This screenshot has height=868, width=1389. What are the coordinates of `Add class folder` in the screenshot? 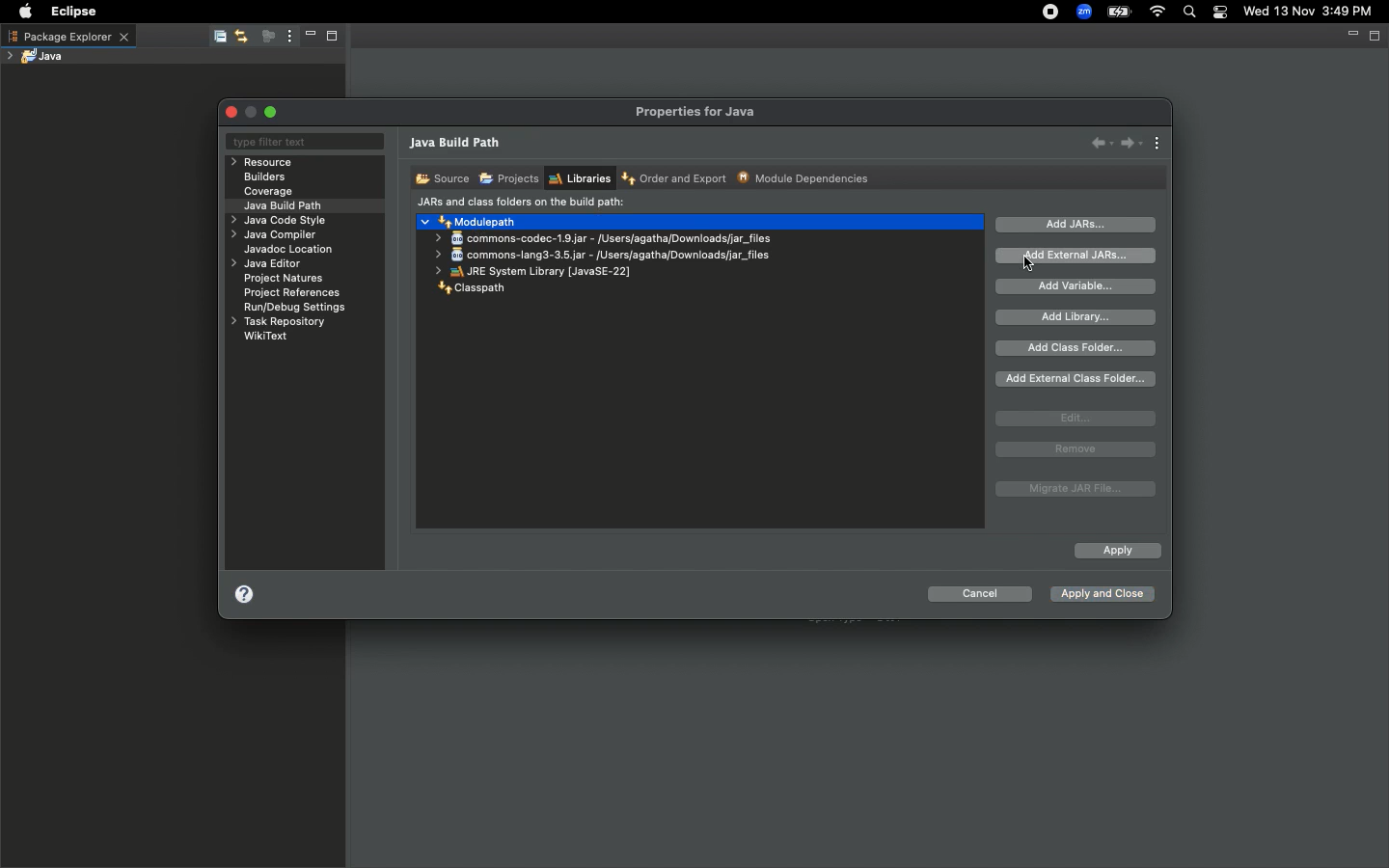 It's located at (1077, 348).